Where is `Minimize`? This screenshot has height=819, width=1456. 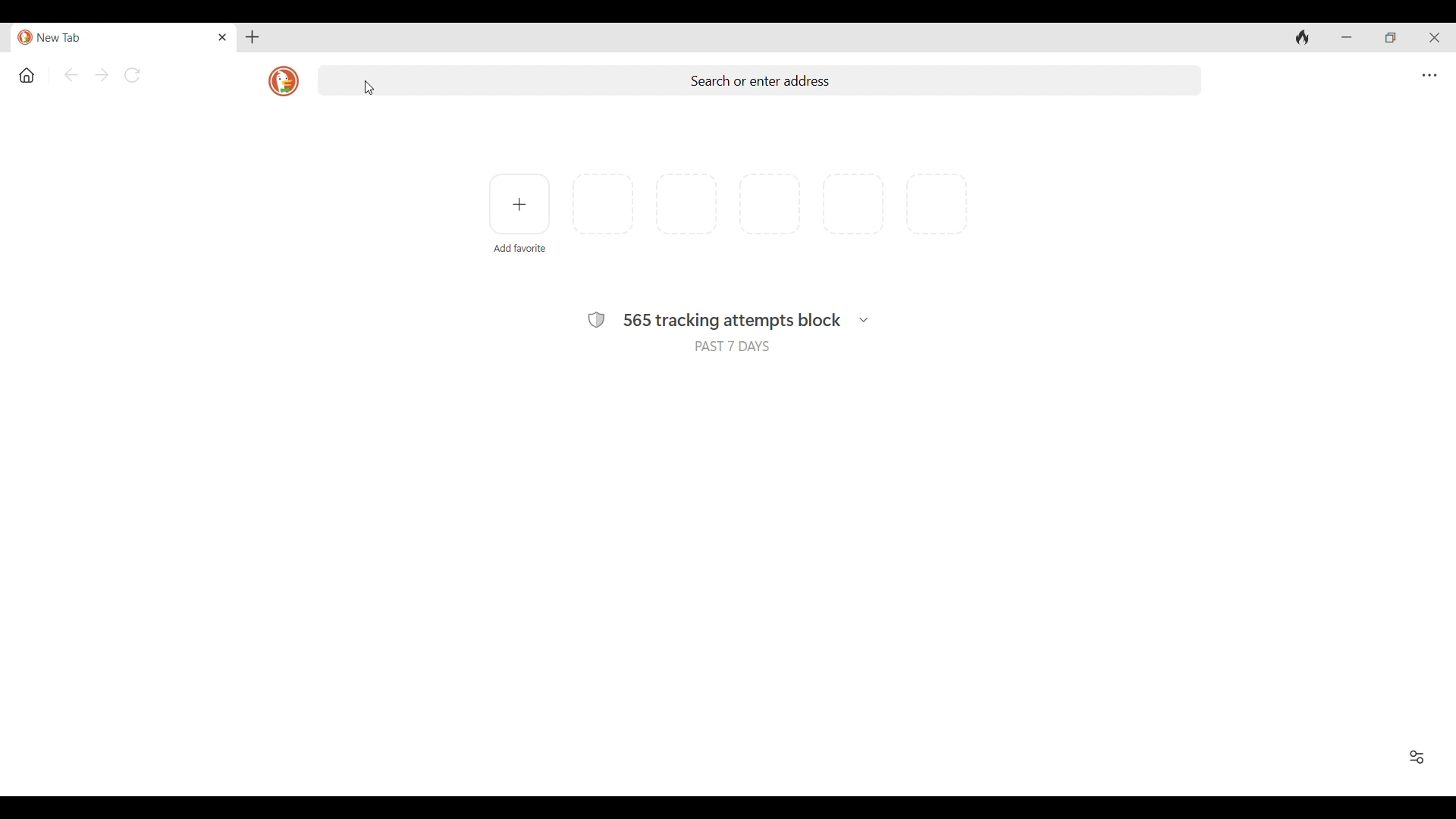
Minimize is located at coordinates (1346, 37).